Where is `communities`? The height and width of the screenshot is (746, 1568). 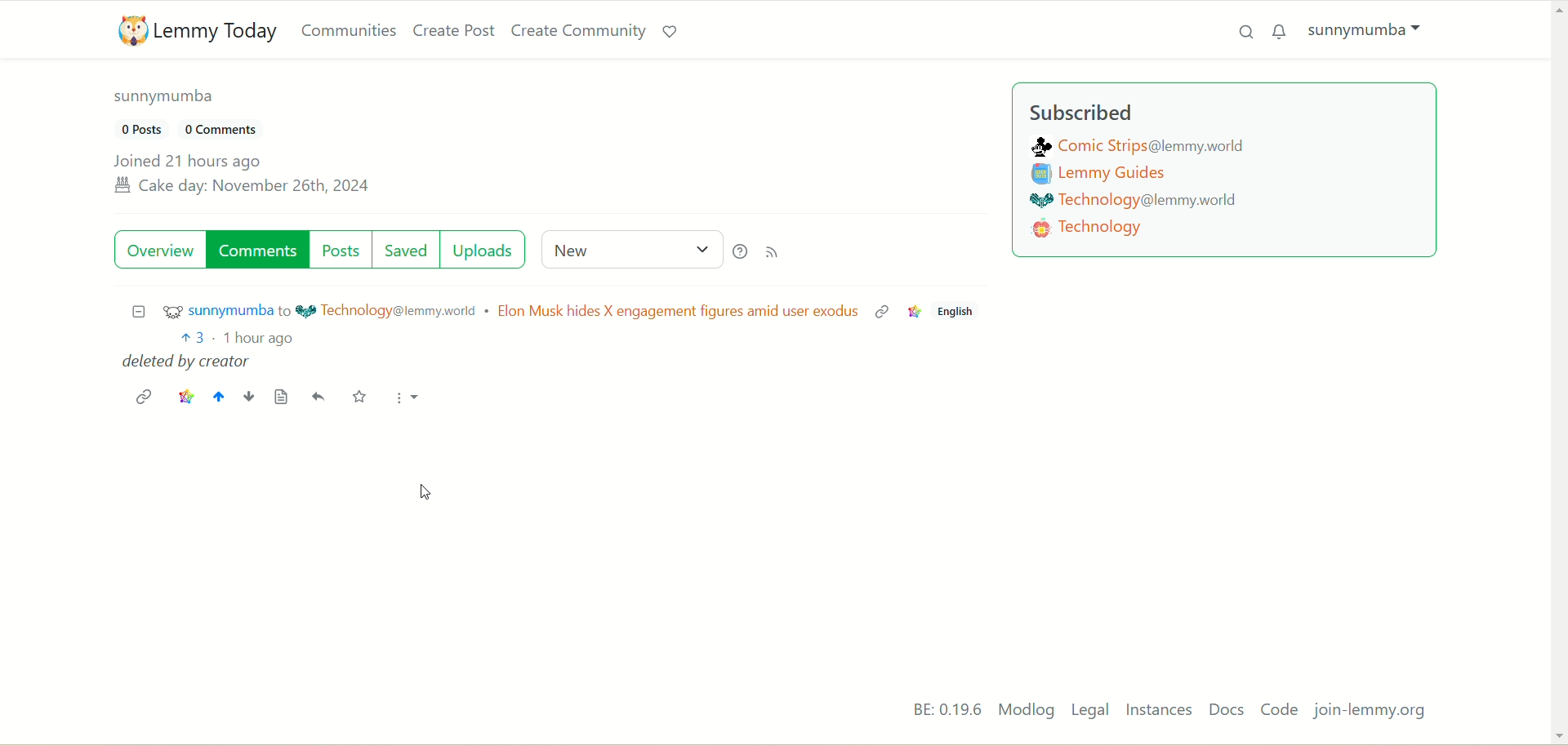 communities is located at coordinates (350, 30).